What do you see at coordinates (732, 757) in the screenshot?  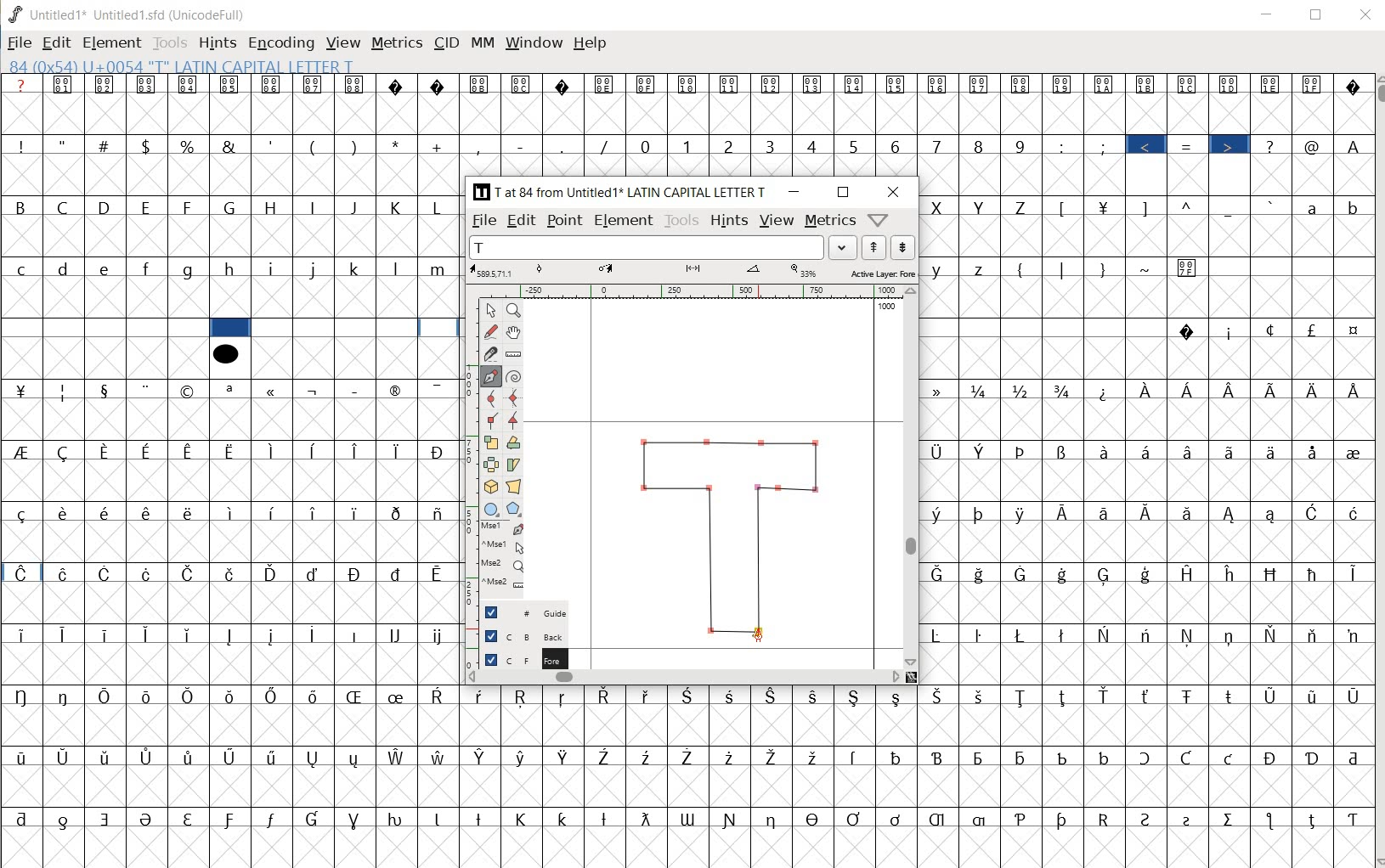 I see `Symbol` at bounding box center [732, 757].